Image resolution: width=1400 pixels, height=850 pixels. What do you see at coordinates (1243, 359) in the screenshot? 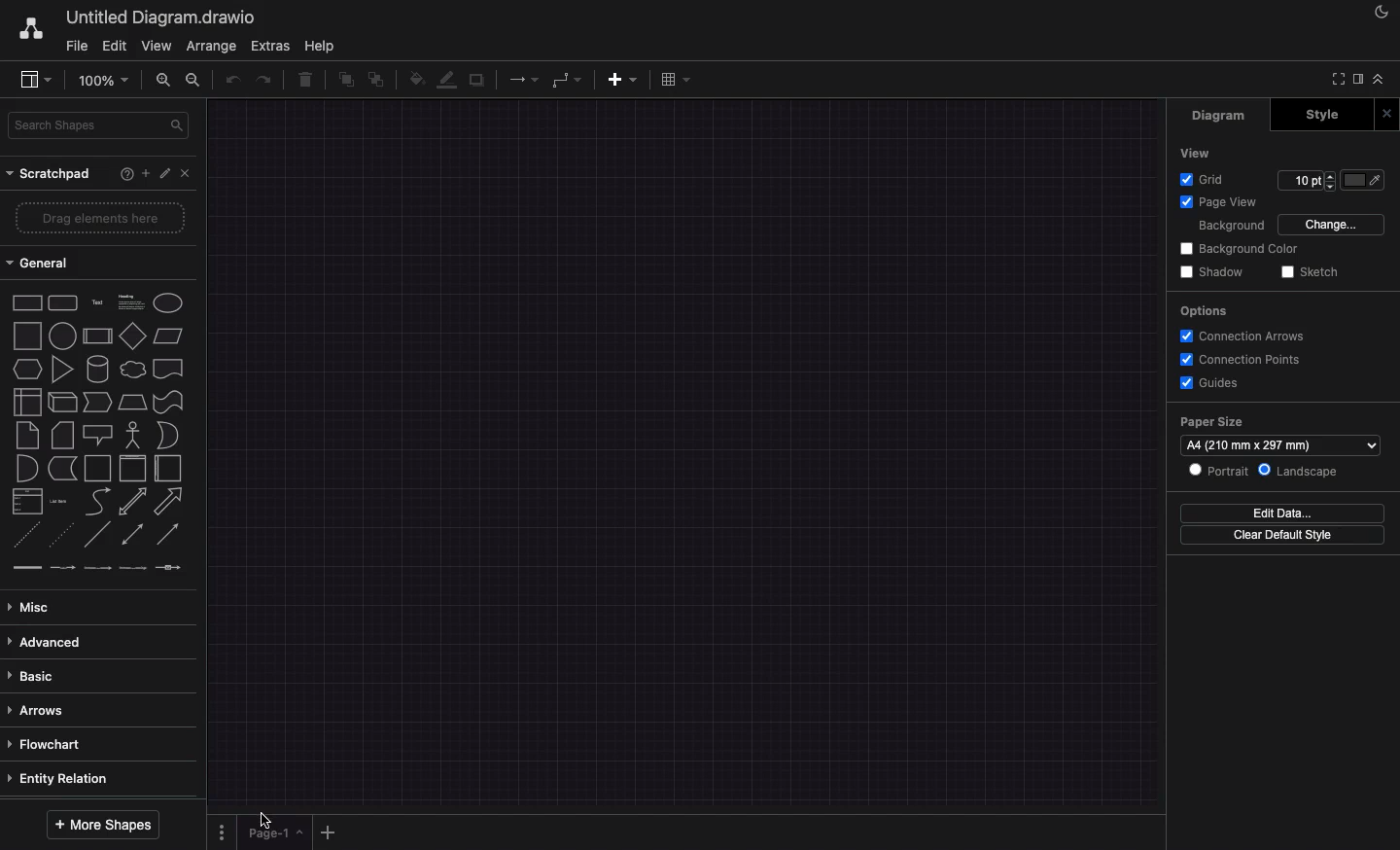
I see `connection points` at bounding box center [1243, 359].